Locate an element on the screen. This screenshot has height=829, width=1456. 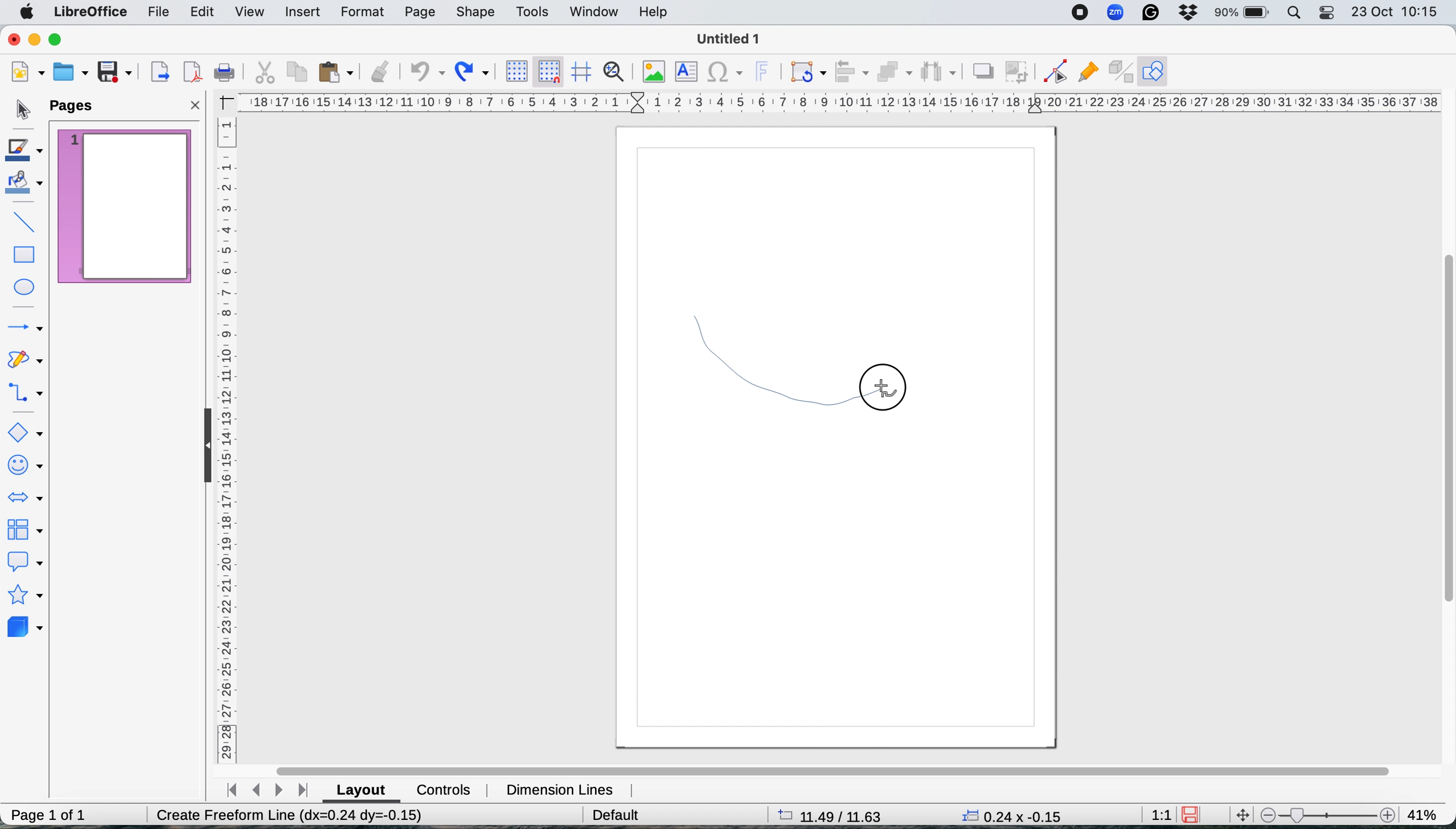
edit is located at coordinates (204, 12).